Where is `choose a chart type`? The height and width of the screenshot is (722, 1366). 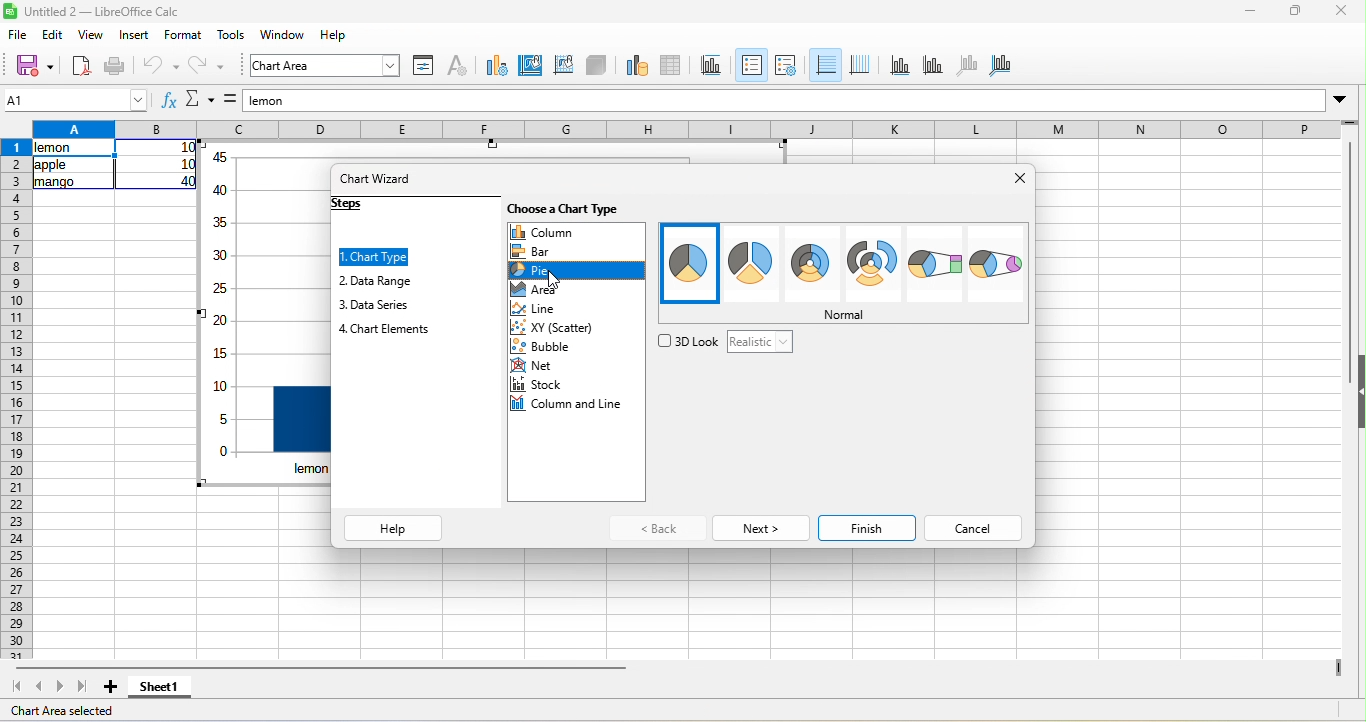
choose a chart type is located at coordinates (575, 212).